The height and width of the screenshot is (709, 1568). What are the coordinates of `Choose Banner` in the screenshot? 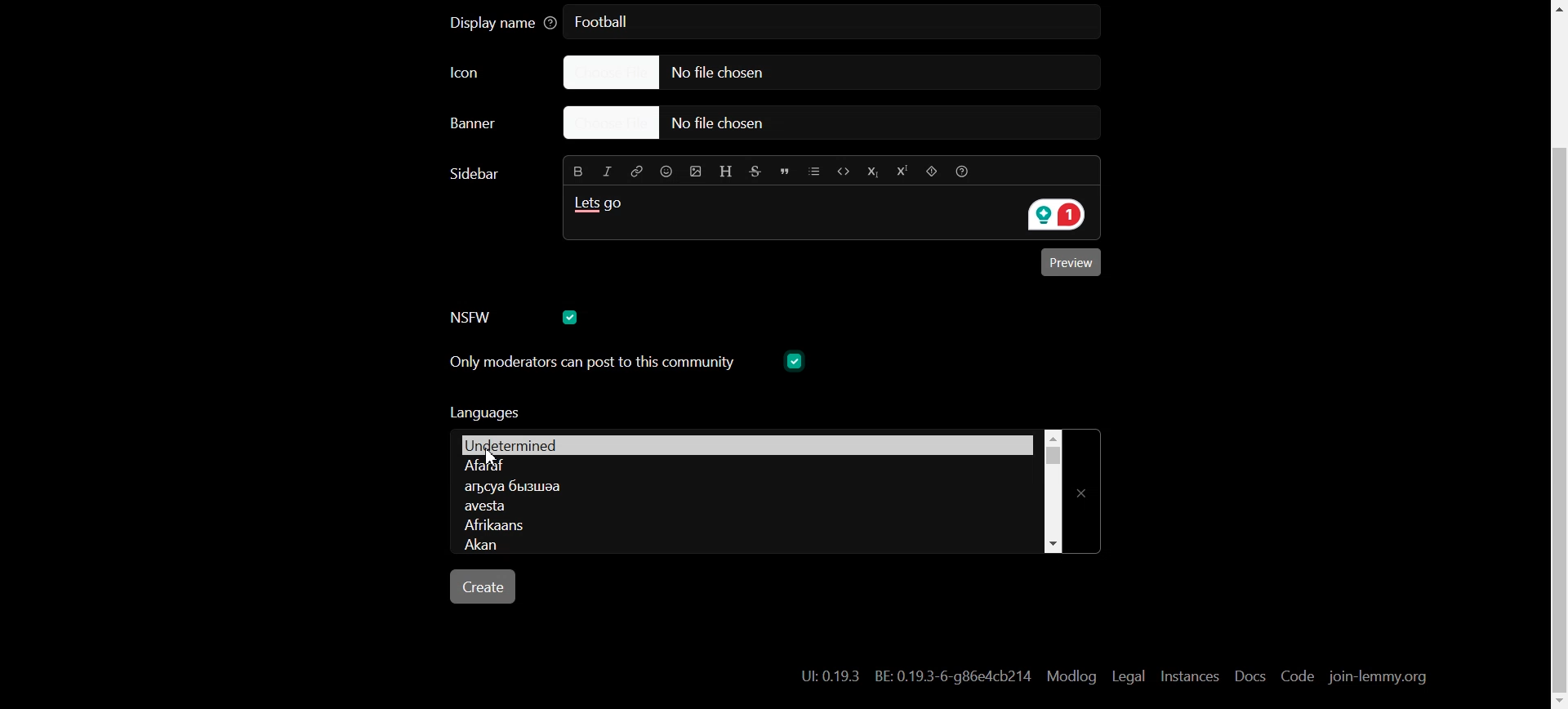 It's located at (492, 127).